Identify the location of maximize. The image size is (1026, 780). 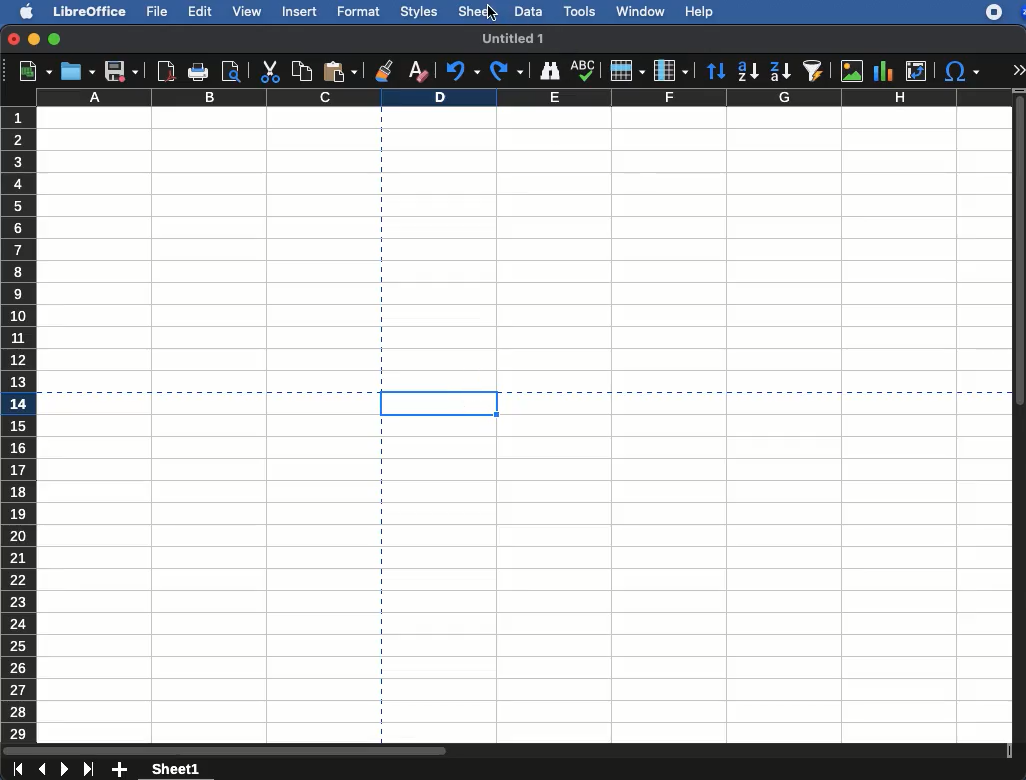
(54, 39).